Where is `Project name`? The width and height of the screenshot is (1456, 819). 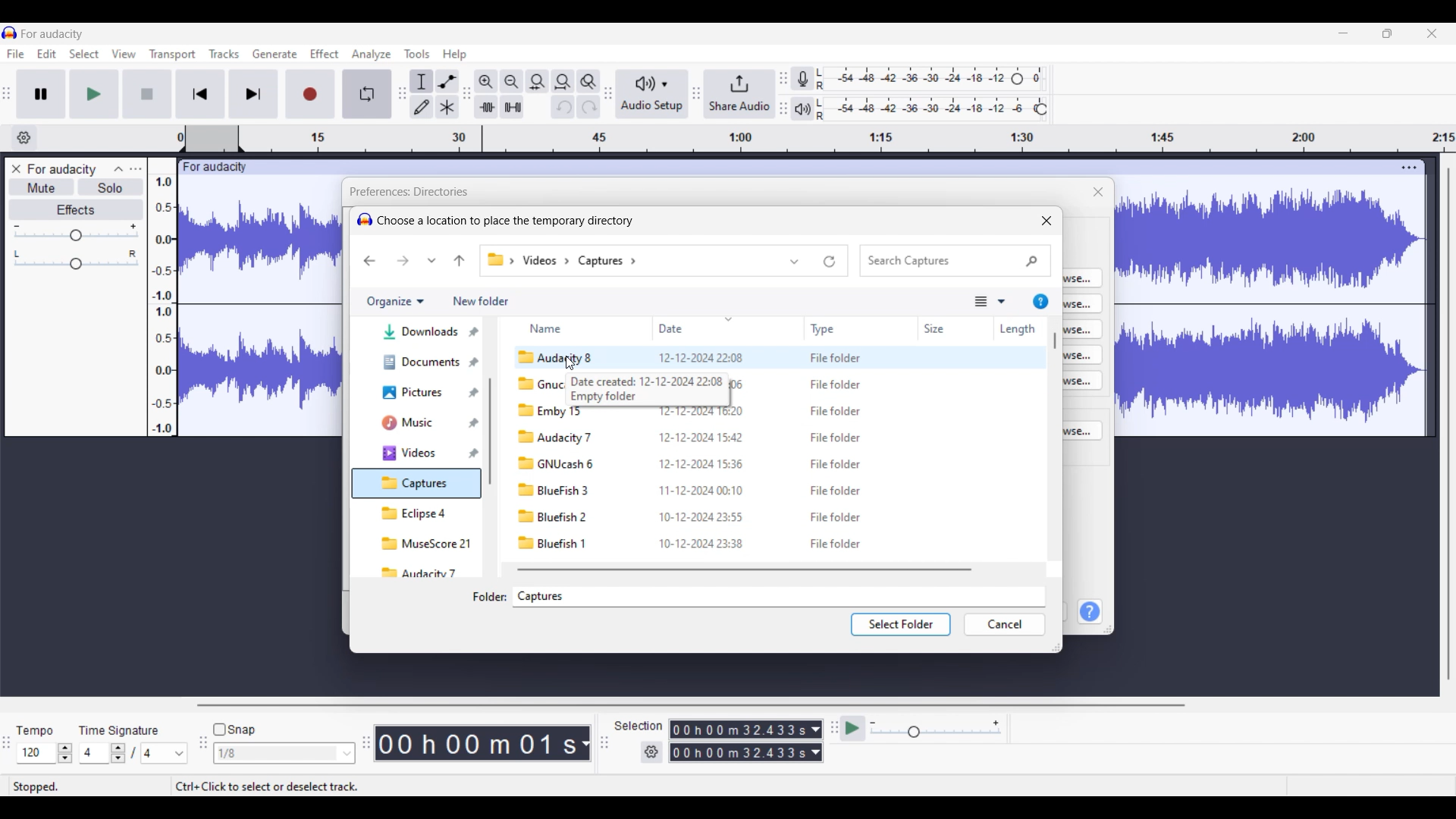 Project name is located at coordinates (213, 168).